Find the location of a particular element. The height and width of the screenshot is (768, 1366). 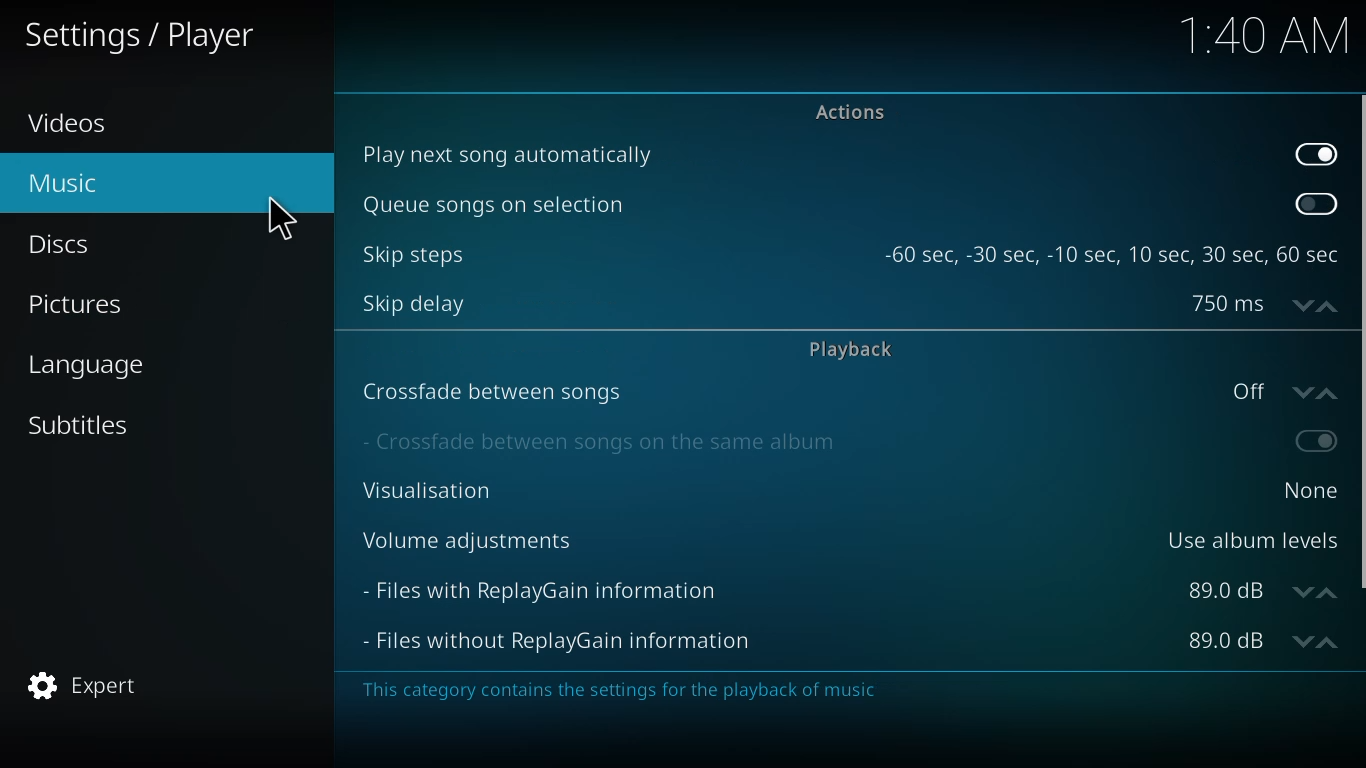

db is located at coordinates (1263, 591).